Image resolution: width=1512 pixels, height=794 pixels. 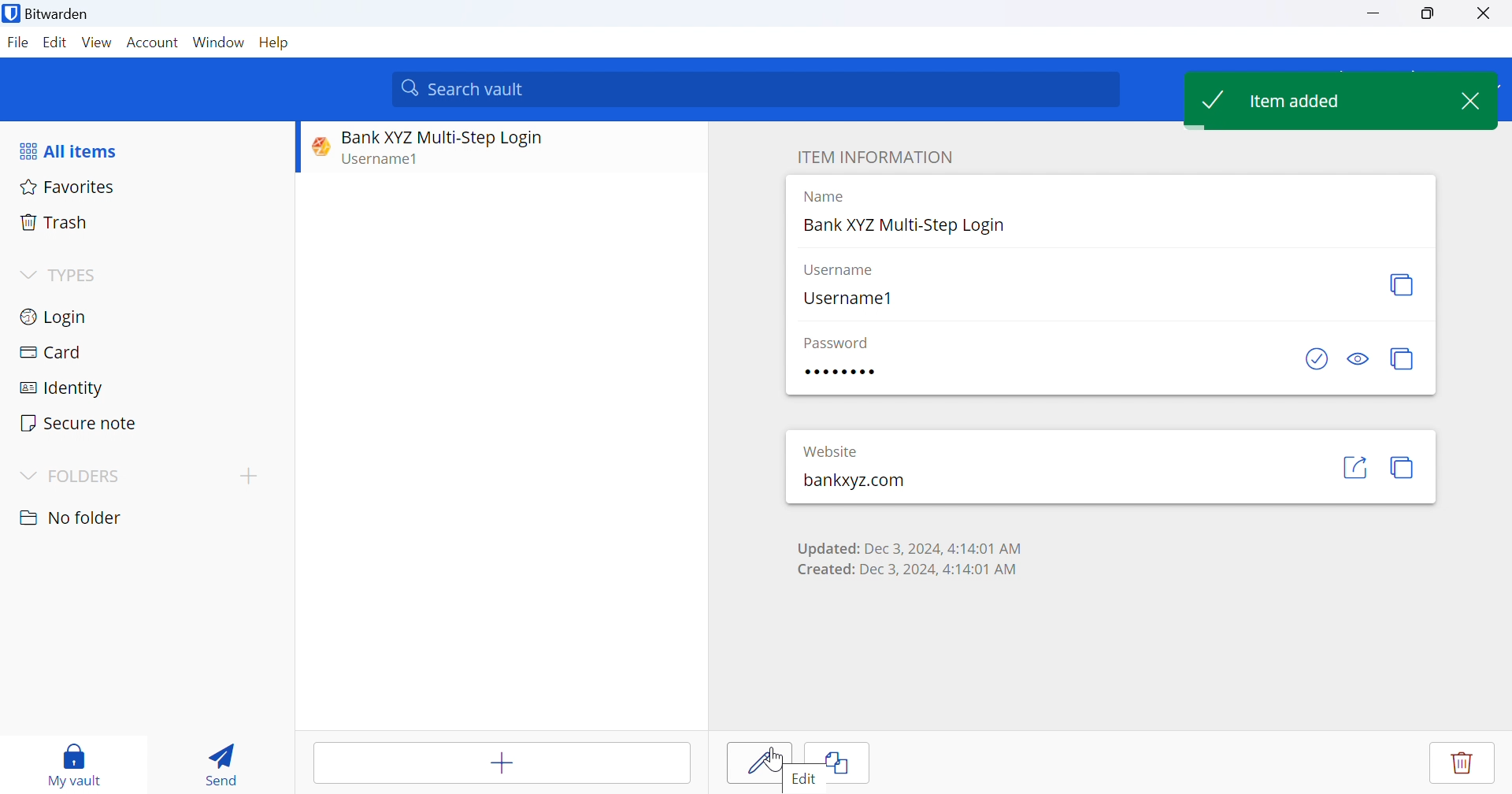 I want to click on Bitwarden, so click(x=50, y=17).